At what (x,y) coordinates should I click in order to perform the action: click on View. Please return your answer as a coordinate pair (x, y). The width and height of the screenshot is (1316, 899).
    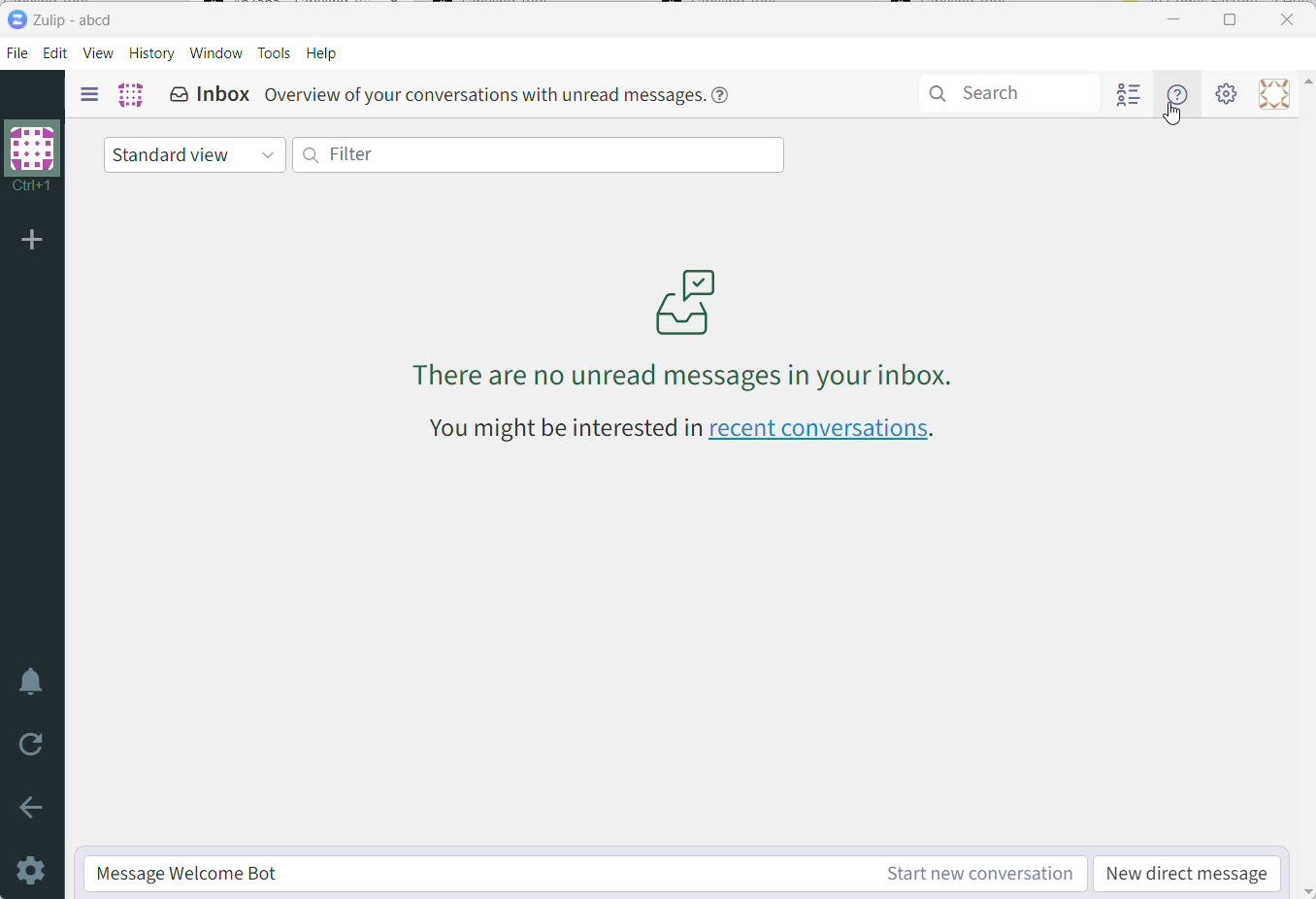
    Looking at the image, I should click on (99, 54).